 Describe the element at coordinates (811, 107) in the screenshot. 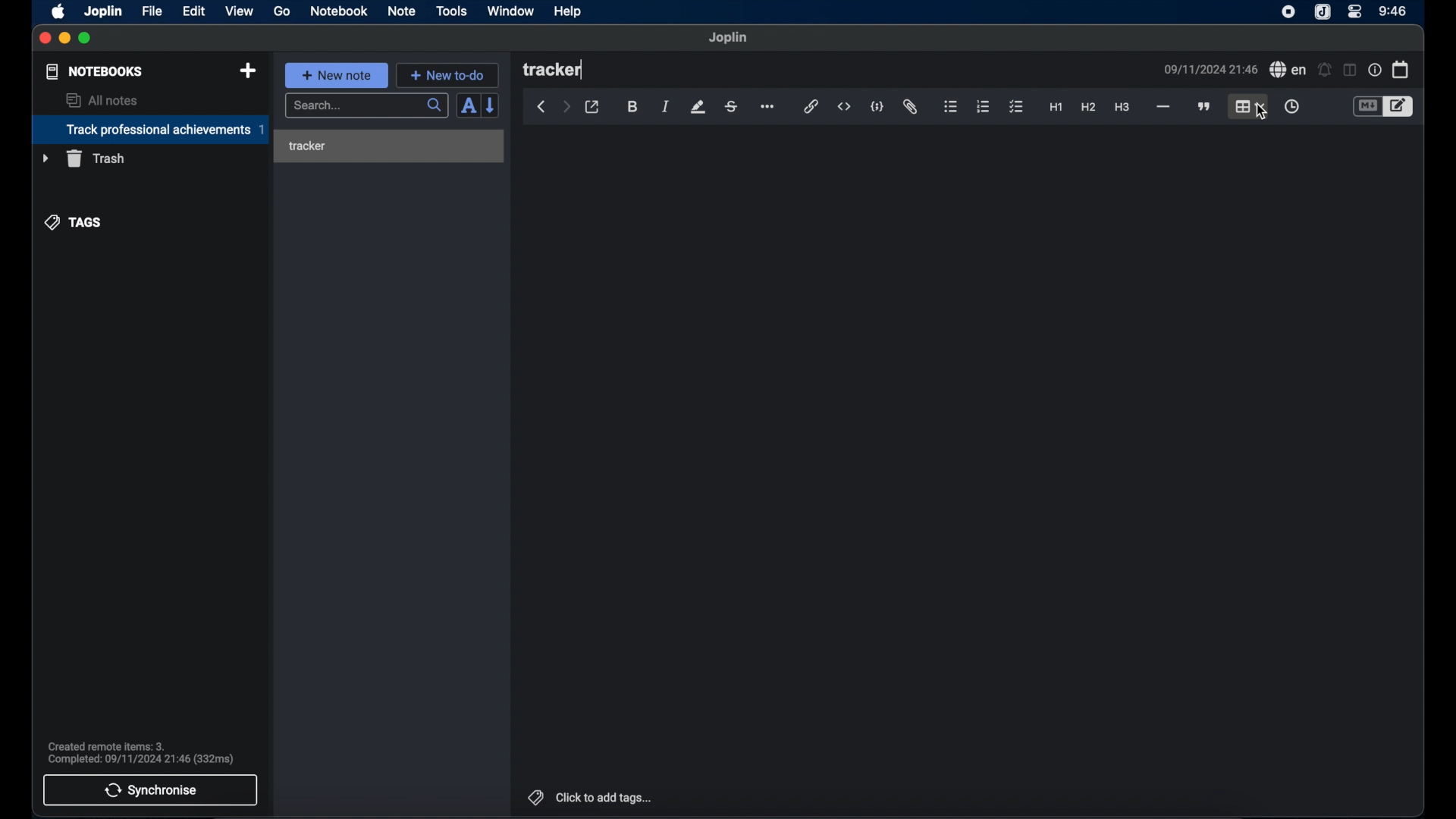

I see `hyperlink` at that location.